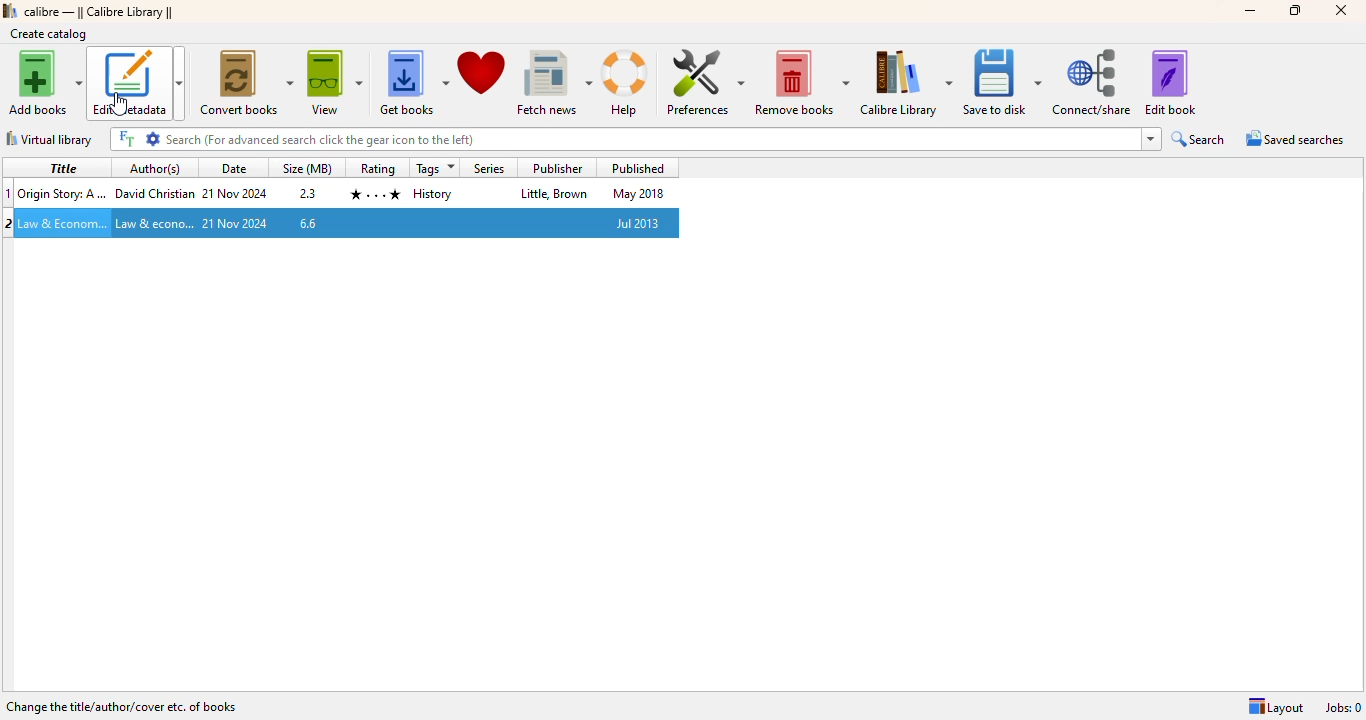 The image size is (1366, 720). I want to click on Layout, so click(1275, 707).